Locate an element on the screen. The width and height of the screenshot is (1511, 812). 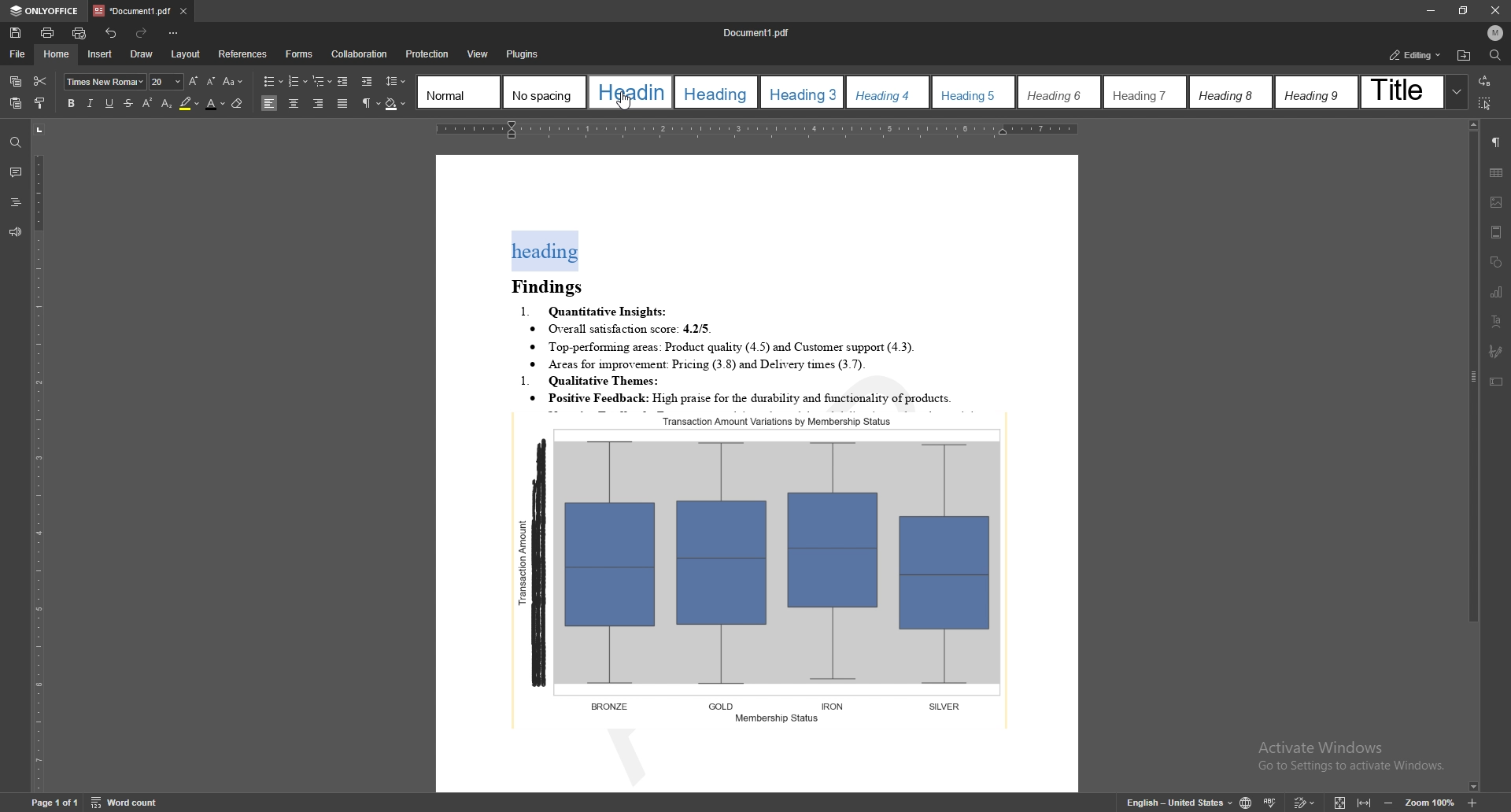
italic is located at coordinates (88, 104).